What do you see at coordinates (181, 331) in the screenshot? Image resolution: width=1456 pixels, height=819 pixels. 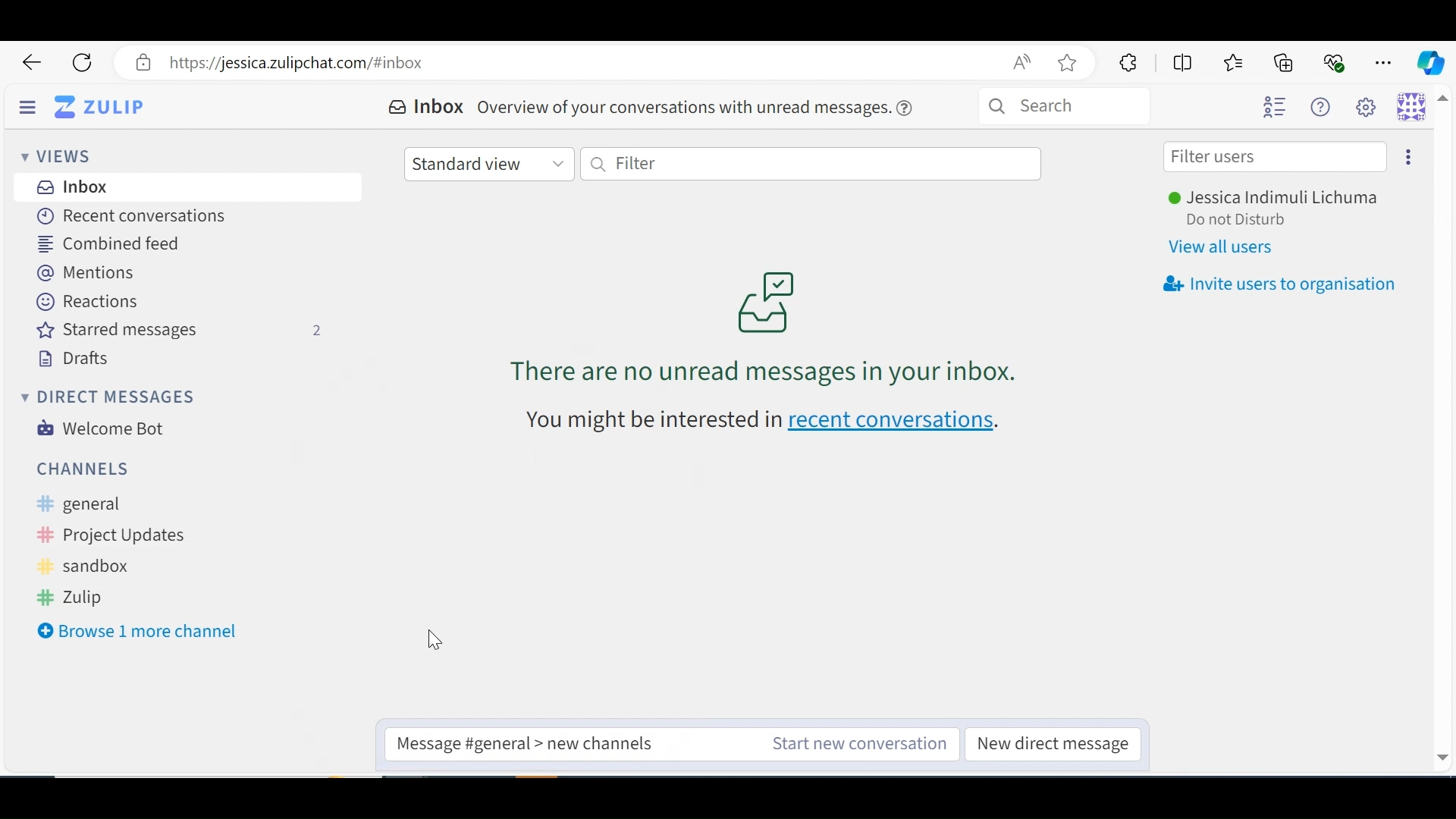 I see `Starred messages` at bounding box center [181, 331].